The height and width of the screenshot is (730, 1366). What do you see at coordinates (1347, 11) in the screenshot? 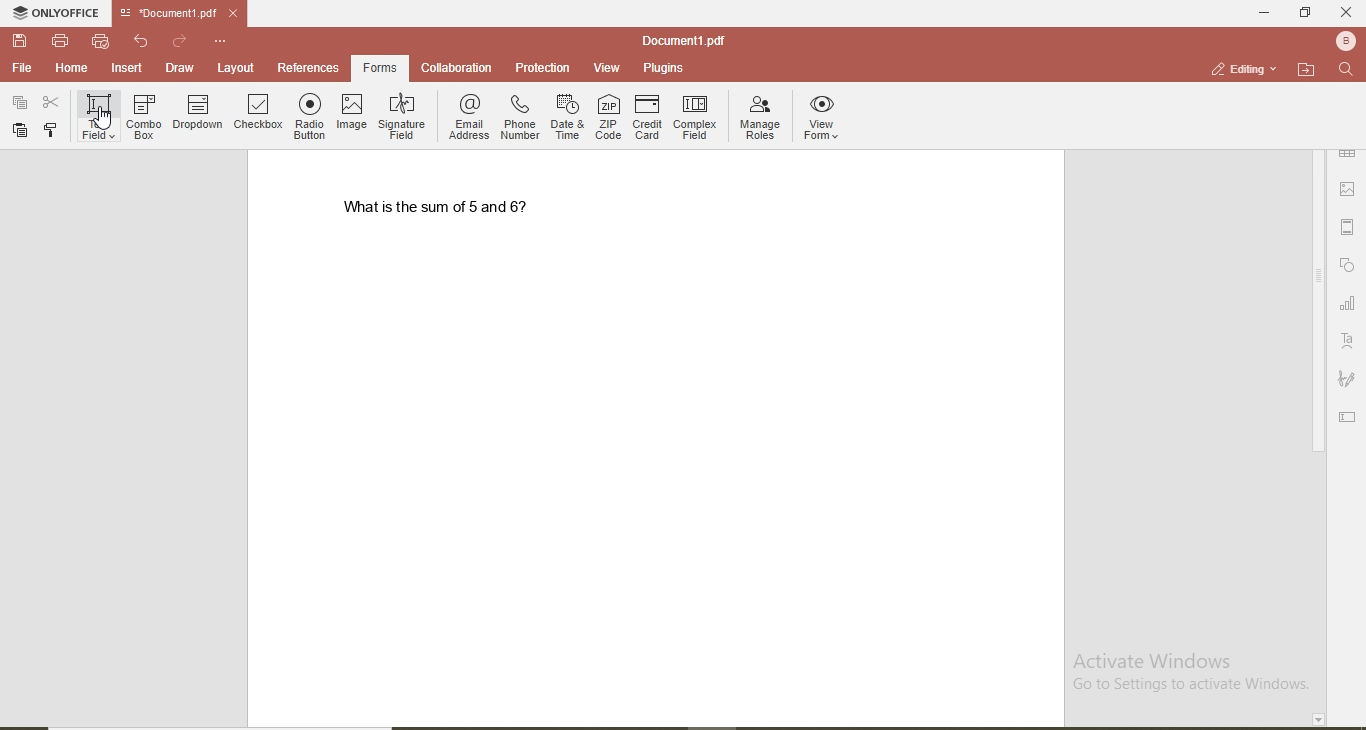
I see `close` at bounding box center [1347, 11].